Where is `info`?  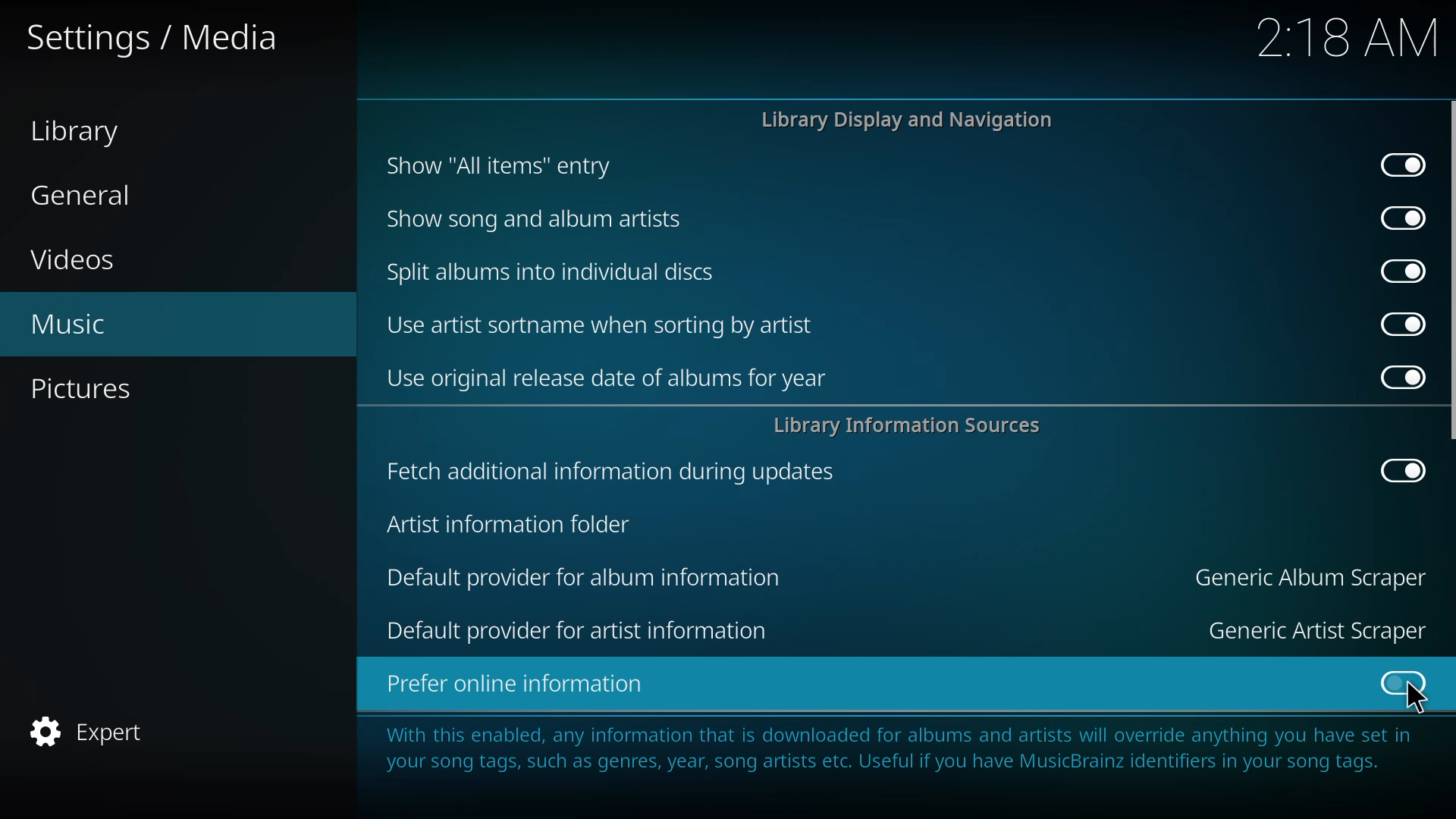
info is located at coordinates (899, 752).